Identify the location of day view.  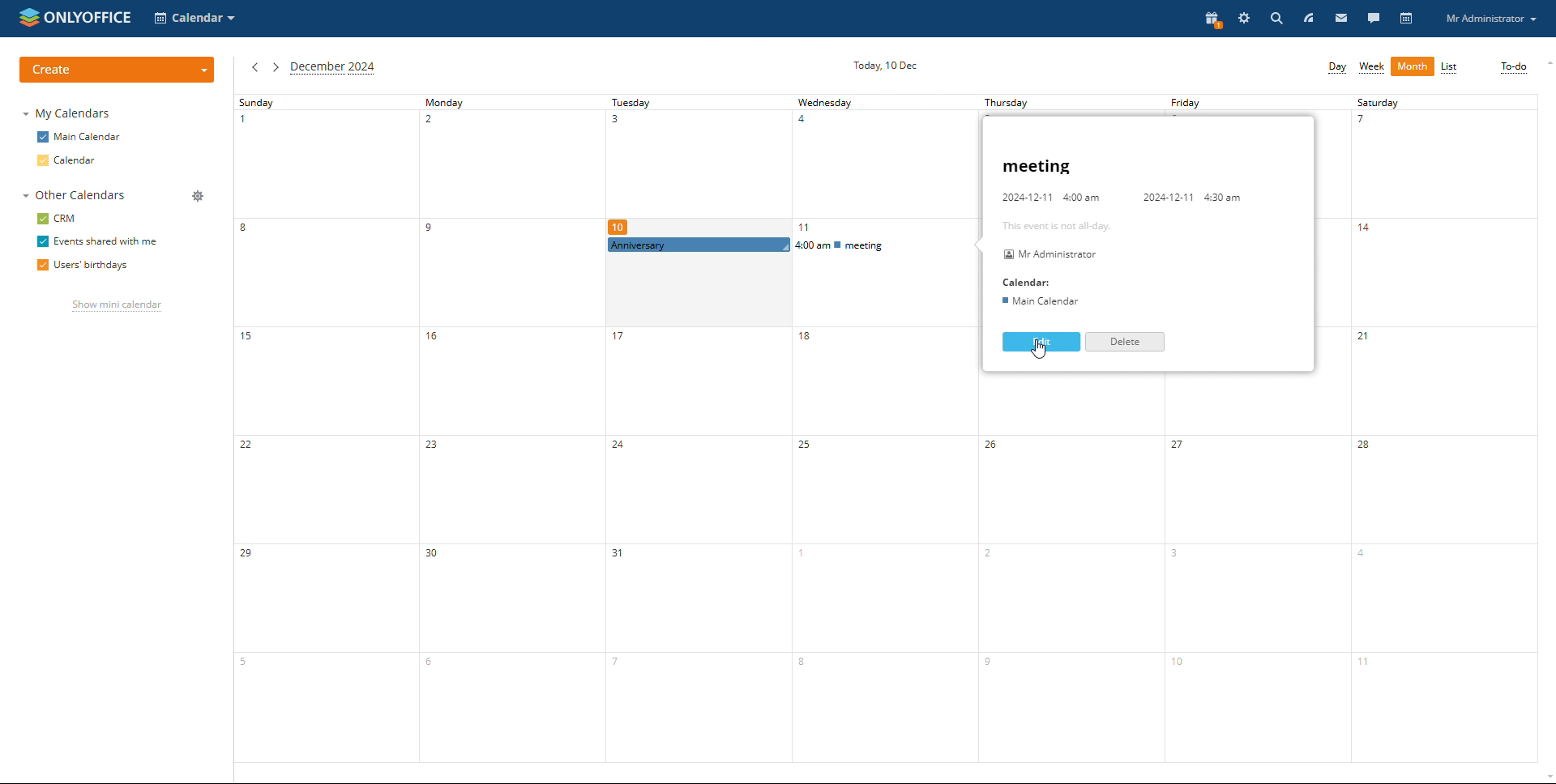
(1337, 67).